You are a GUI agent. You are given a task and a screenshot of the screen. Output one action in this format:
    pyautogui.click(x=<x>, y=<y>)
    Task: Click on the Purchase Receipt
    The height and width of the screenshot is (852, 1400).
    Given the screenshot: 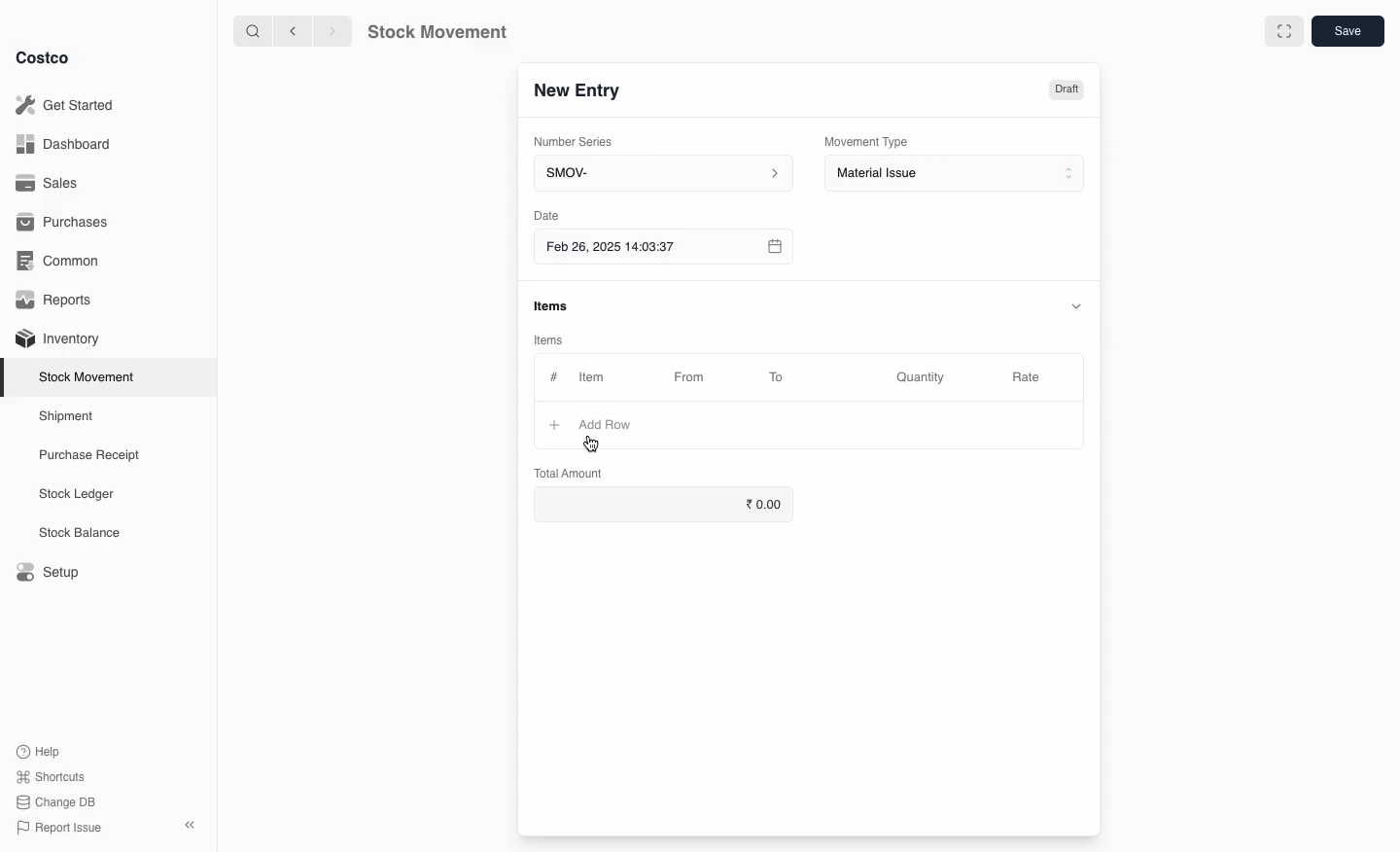 What is the action you would take?
    pyautogui.click(x=94, y=454)
    